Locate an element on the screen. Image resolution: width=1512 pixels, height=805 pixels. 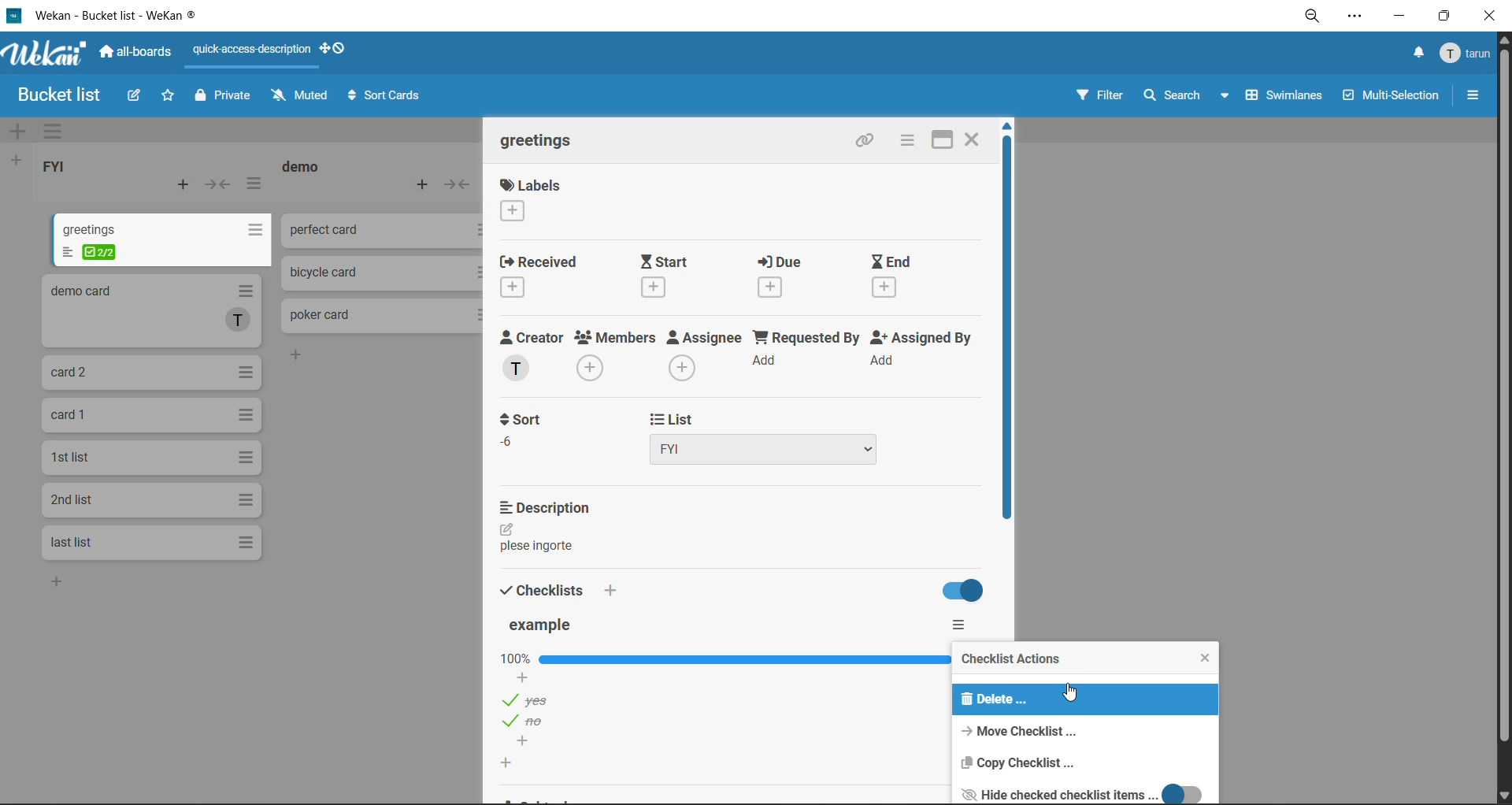
private is located at coordinates (223, 98).